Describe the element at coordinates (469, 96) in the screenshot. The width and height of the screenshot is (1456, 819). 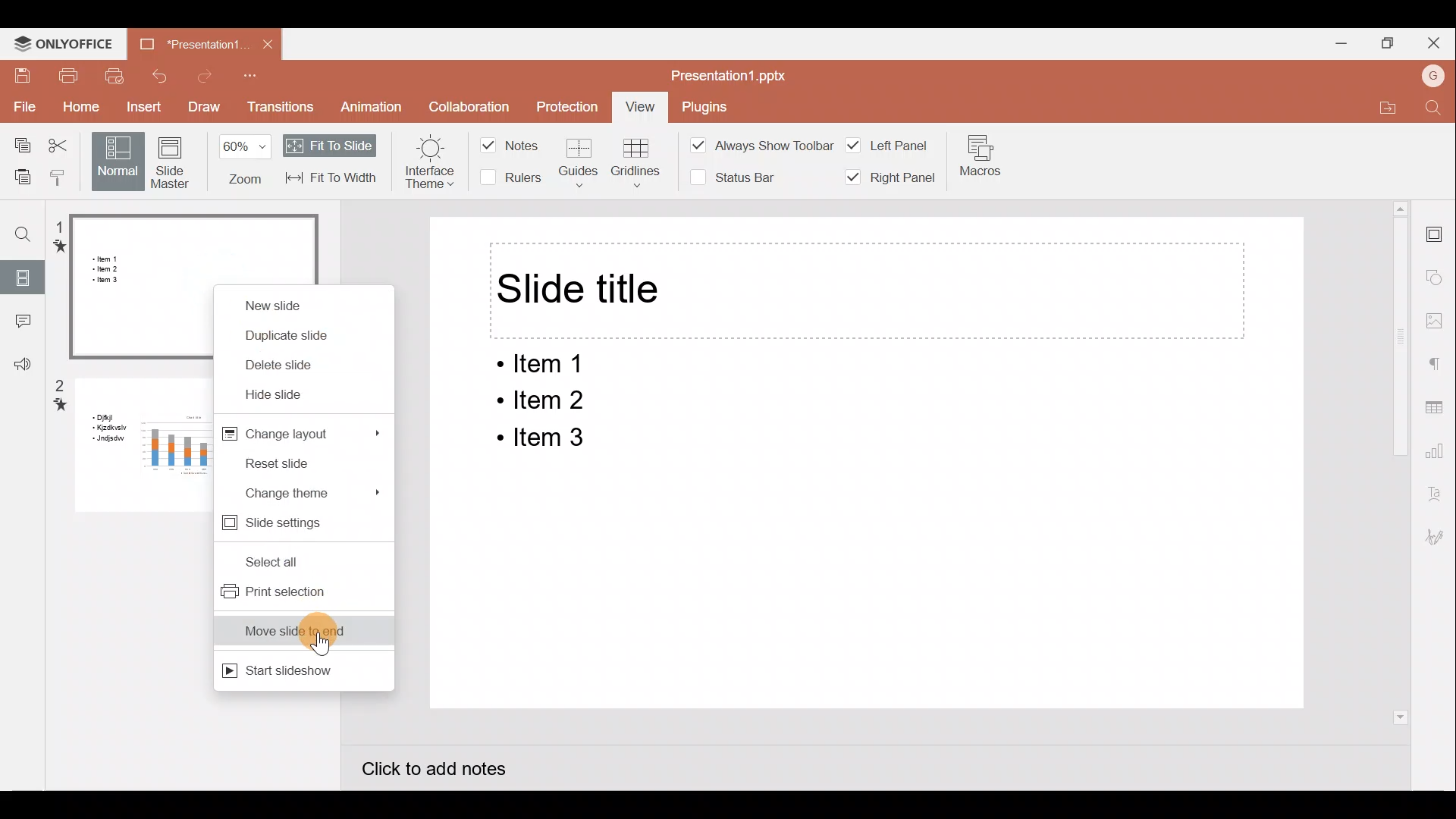
I see `Collaboration` at that location.